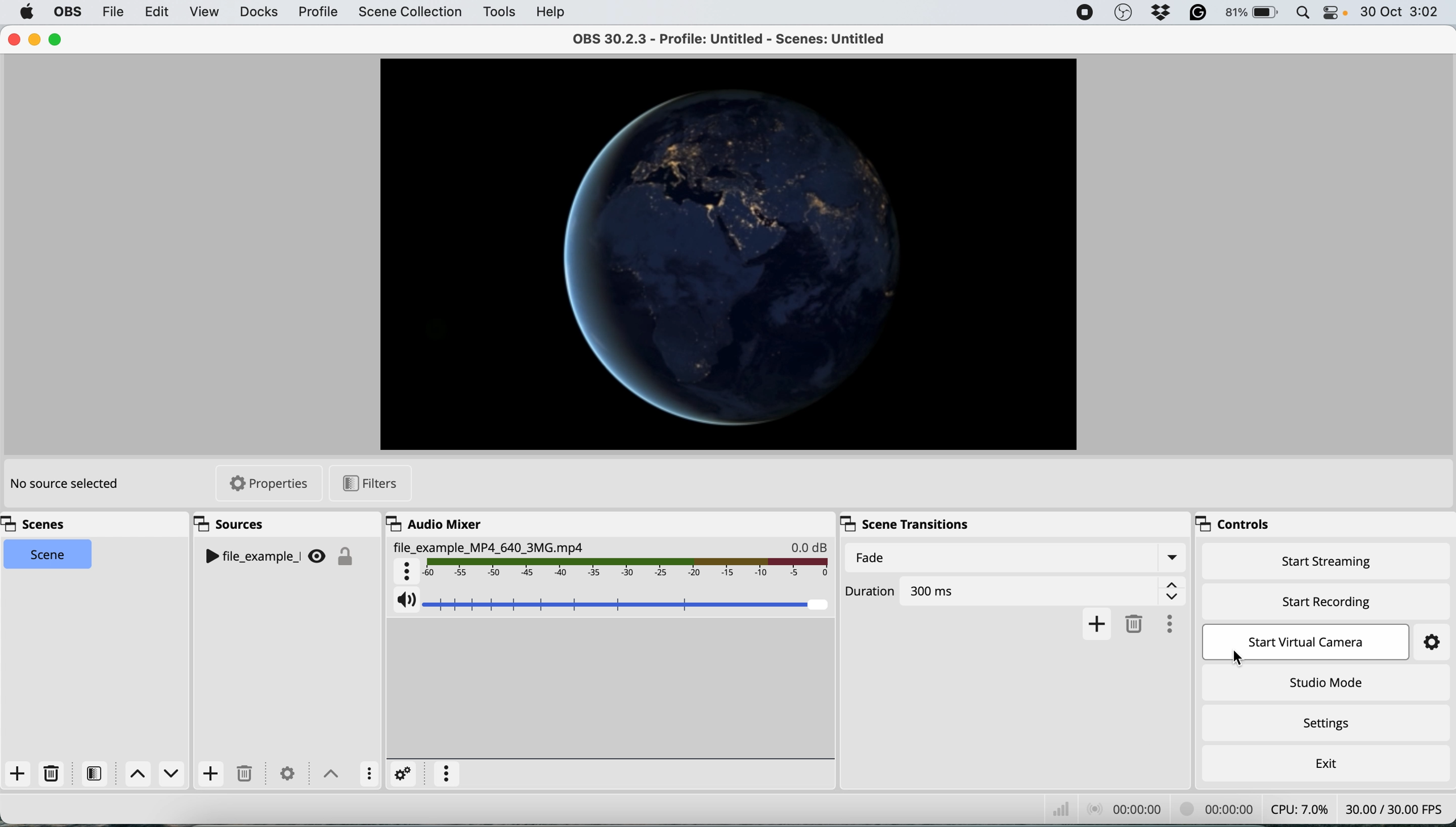  I want to click on source audio, so click(608, 560).